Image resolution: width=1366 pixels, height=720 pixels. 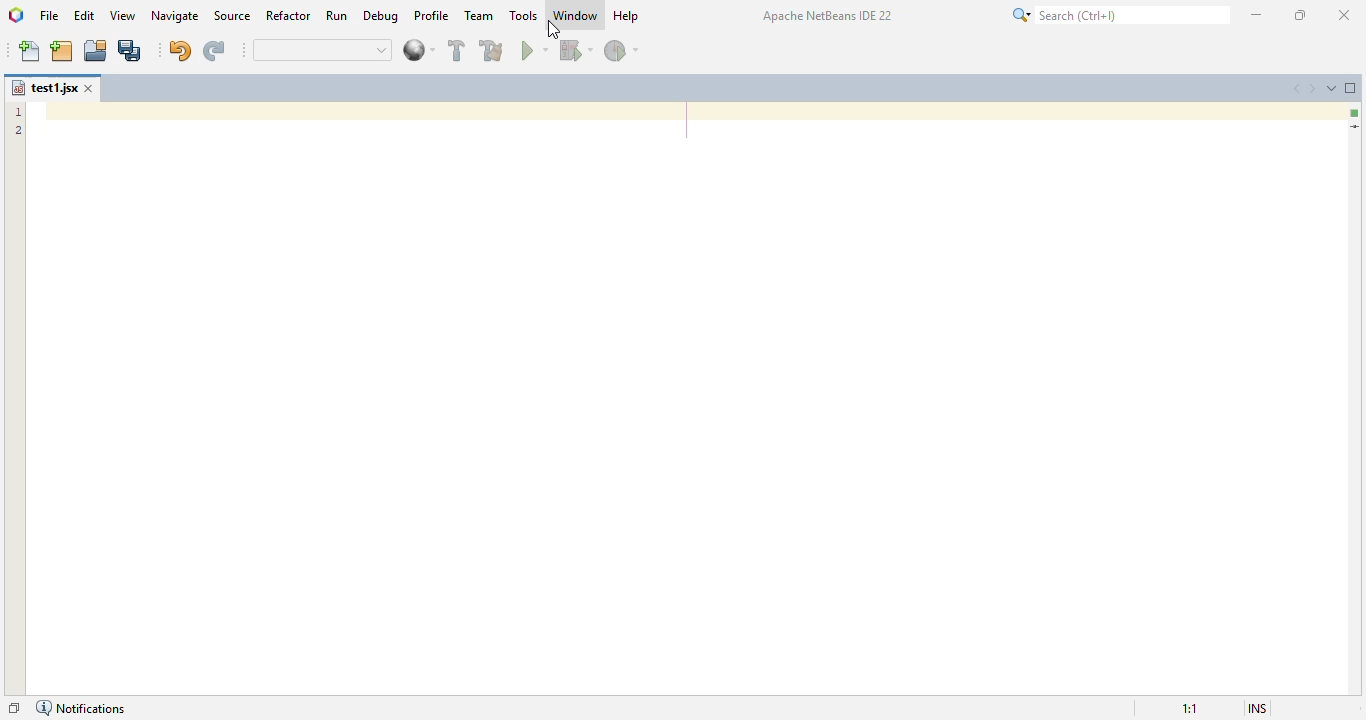 I want to click on clean and build project, so click(x=492, y=50).